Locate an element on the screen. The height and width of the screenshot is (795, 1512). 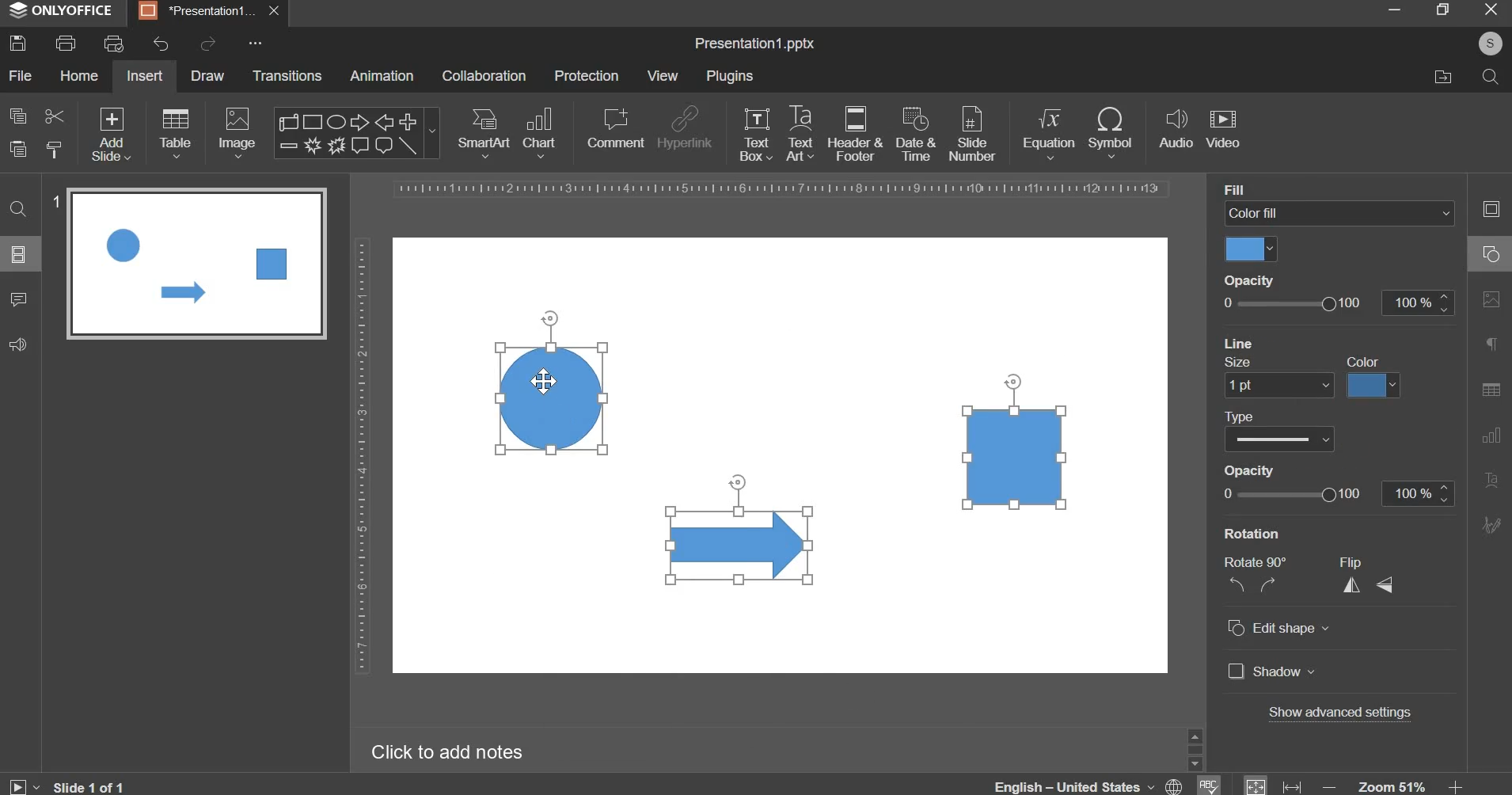
fit to screen is located at coordinates (1256, 784).